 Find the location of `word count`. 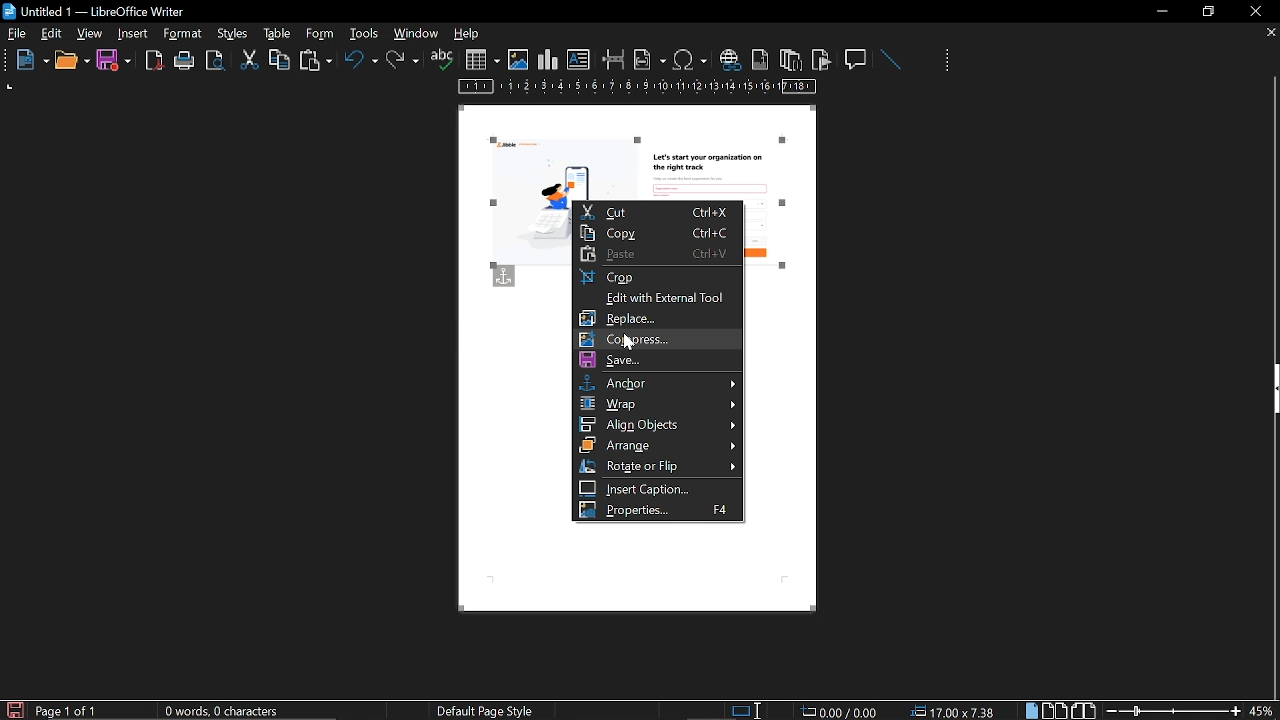

word count is located at coordinates (229, 711).